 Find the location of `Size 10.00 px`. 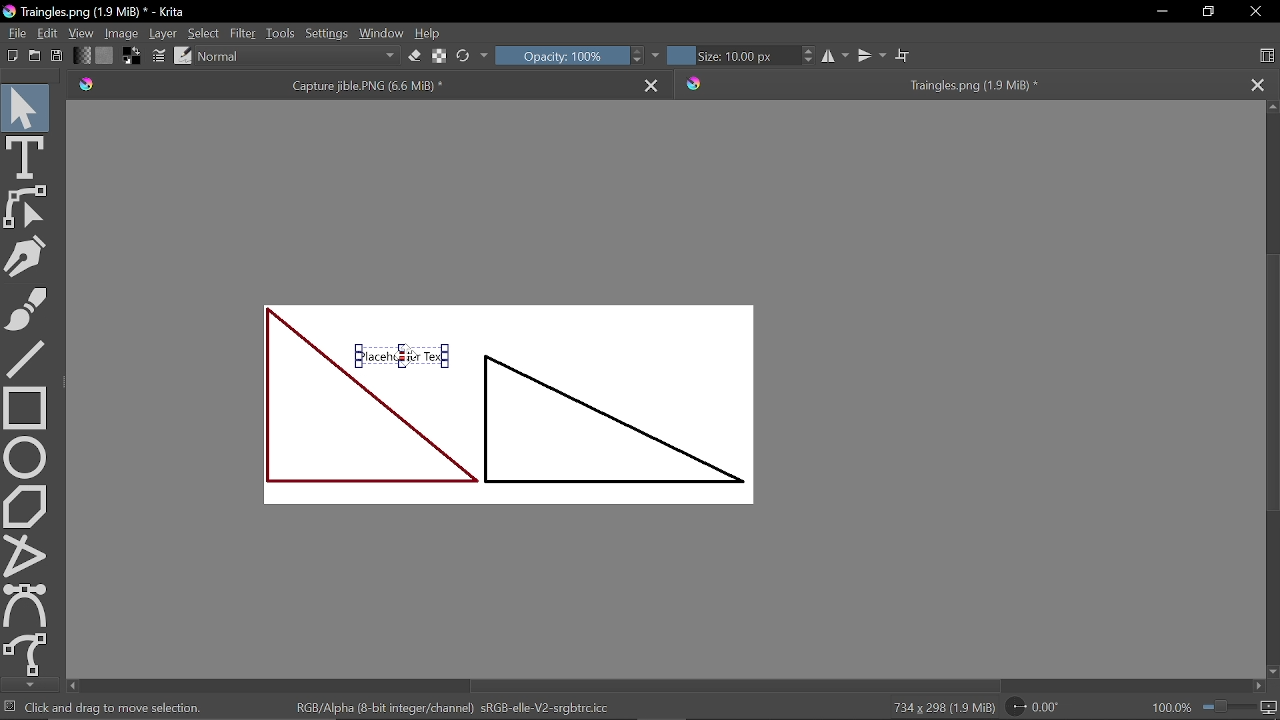

Size 10.00 px is located at coordinates (731, 56).